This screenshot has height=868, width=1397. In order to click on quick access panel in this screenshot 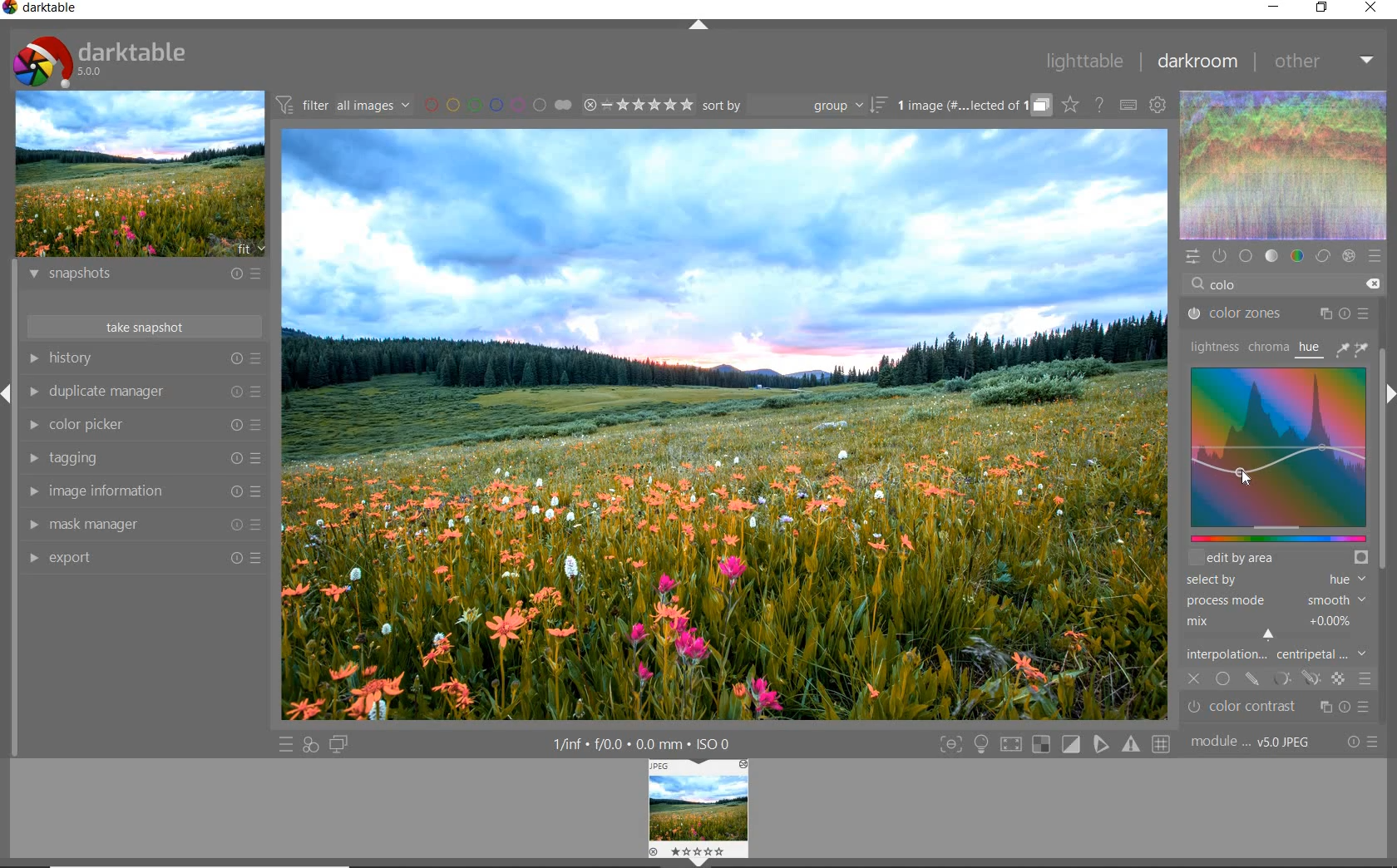, I will do `click(1194, 257)`.